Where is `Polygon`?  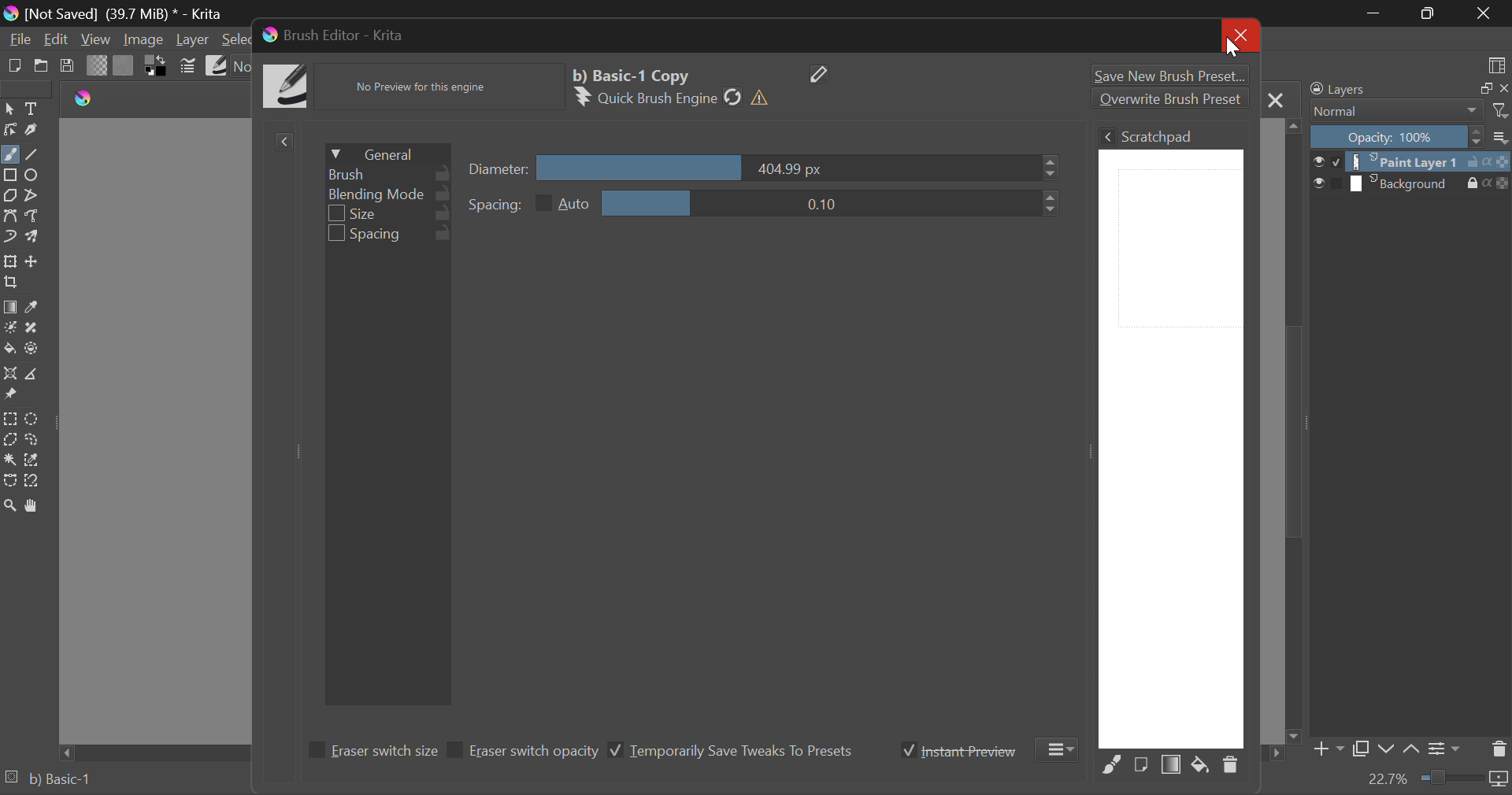 Polygon is located at coordinates (11, 196).